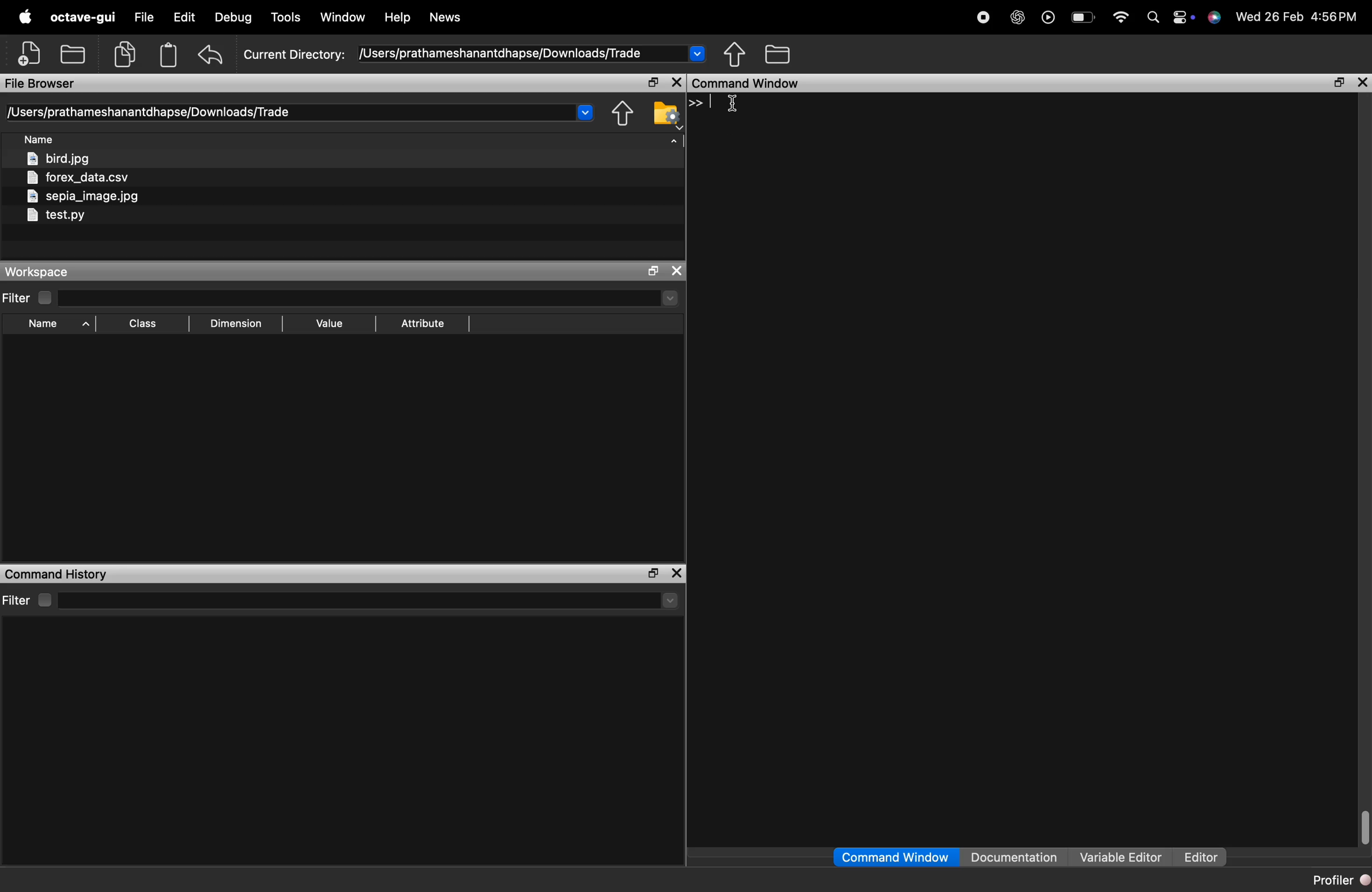 The width and height of the screenshot is (1372, 892). What do you see at coordinates (295, 55) in the screenshot?
I see `Current Directory:` at bounding box center [295, 55].